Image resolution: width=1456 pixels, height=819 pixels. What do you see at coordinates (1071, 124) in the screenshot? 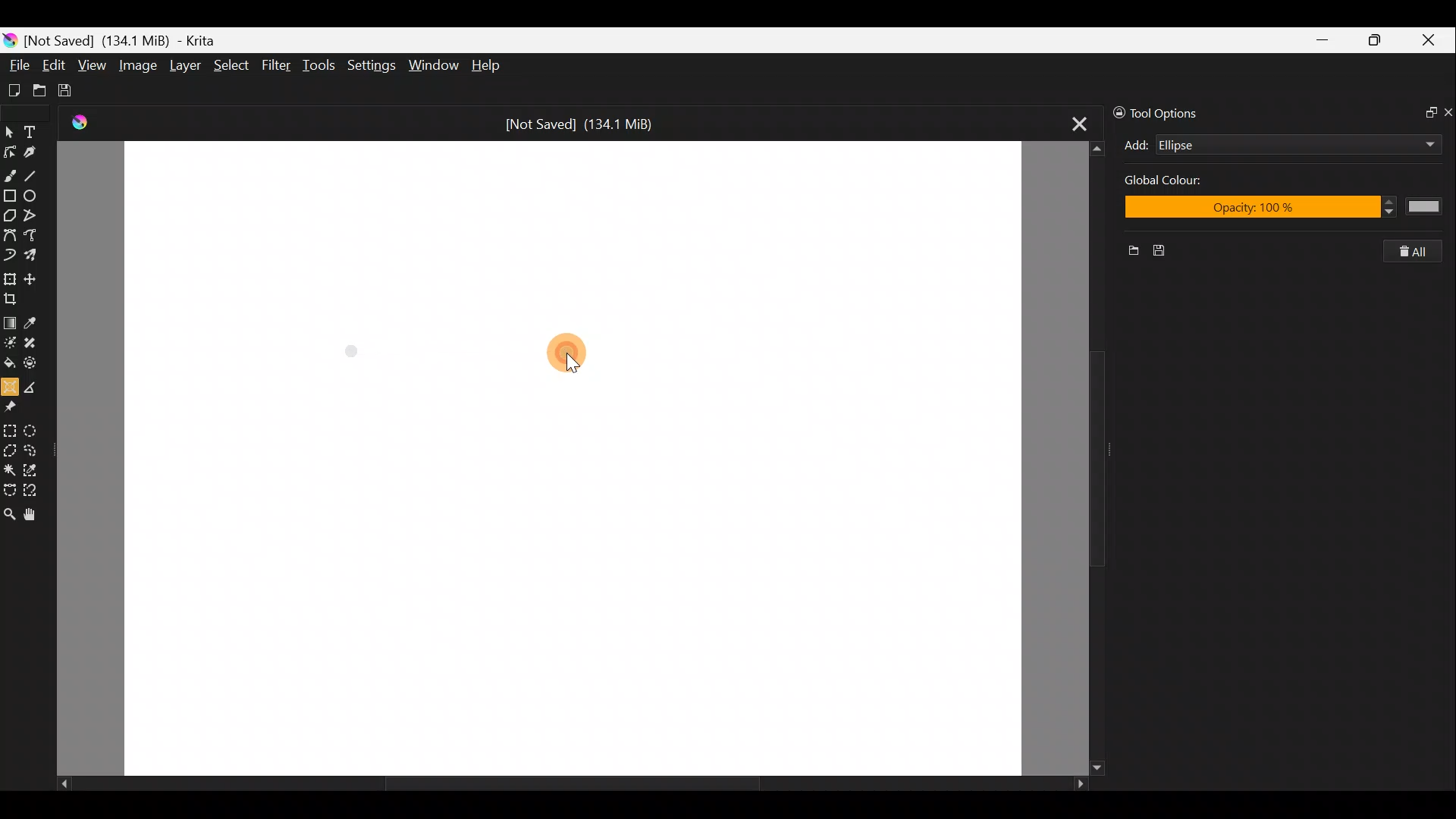
I see `Close tab` at bounding box center [1071, 124].